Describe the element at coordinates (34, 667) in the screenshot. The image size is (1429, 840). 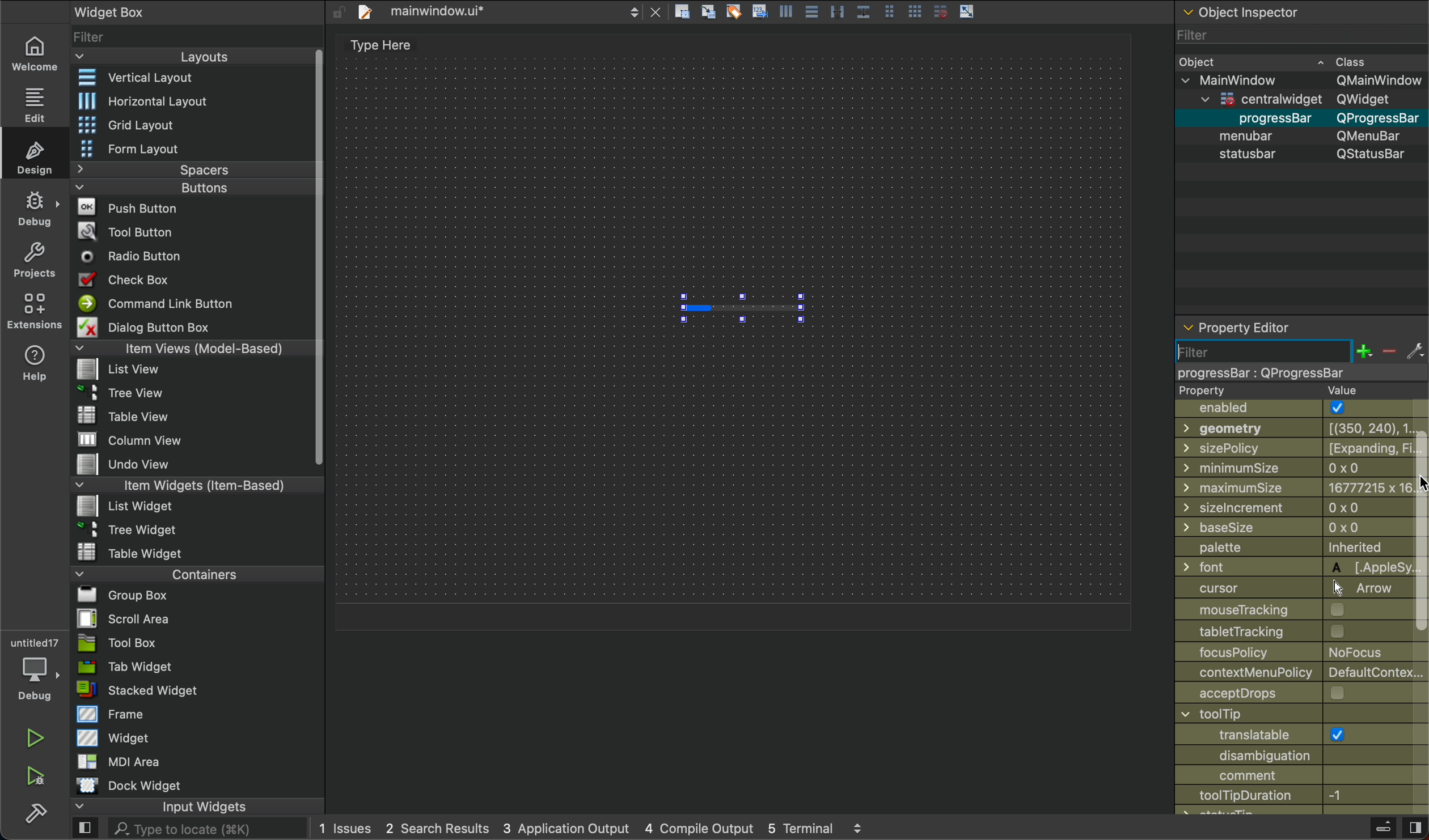
I see `debugger` at that location.